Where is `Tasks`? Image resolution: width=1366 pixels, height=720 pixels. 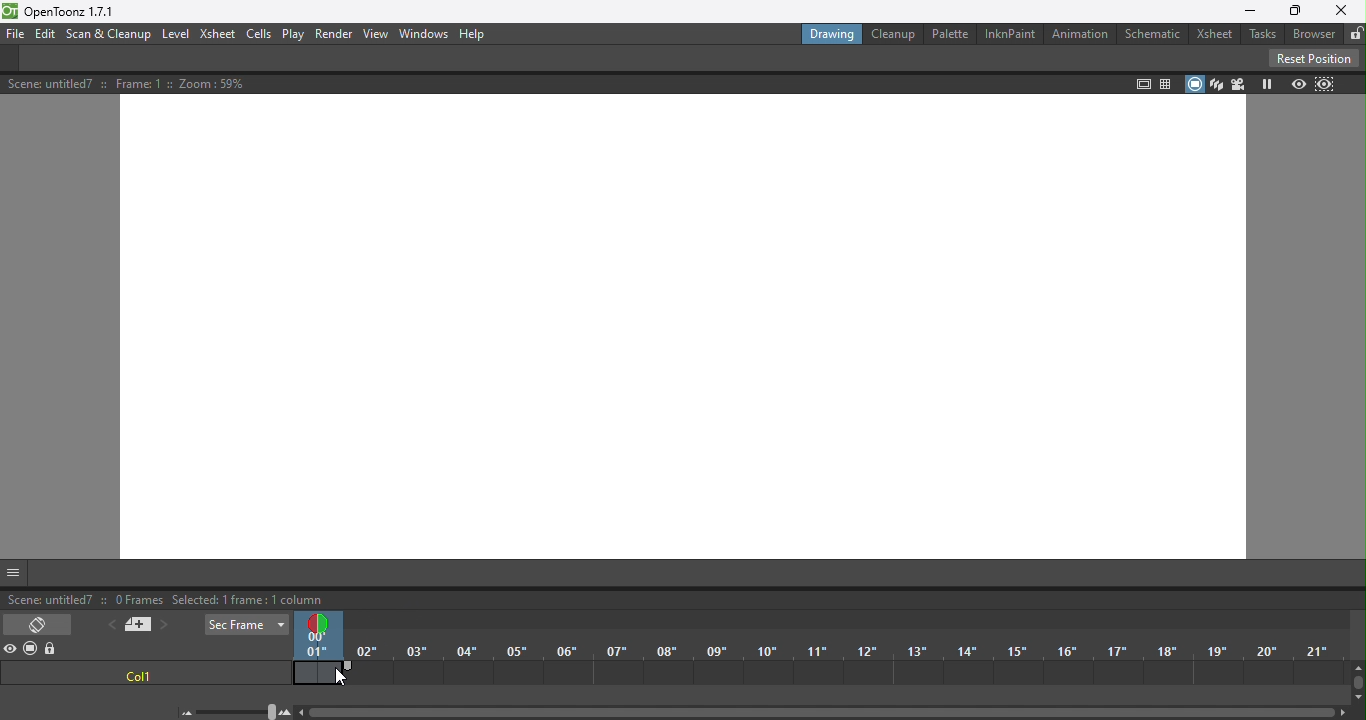
Tasks is located at coordinates (1260, 35).